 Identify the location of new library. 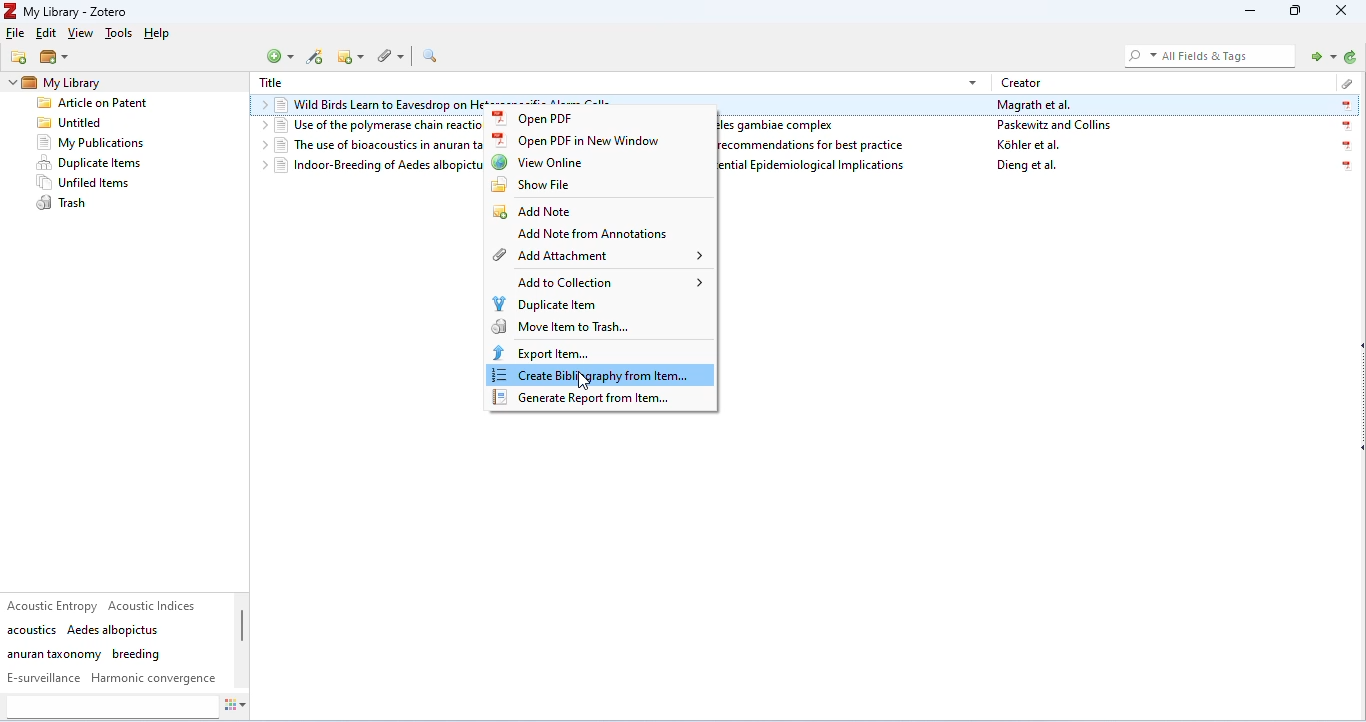
(55, 58).